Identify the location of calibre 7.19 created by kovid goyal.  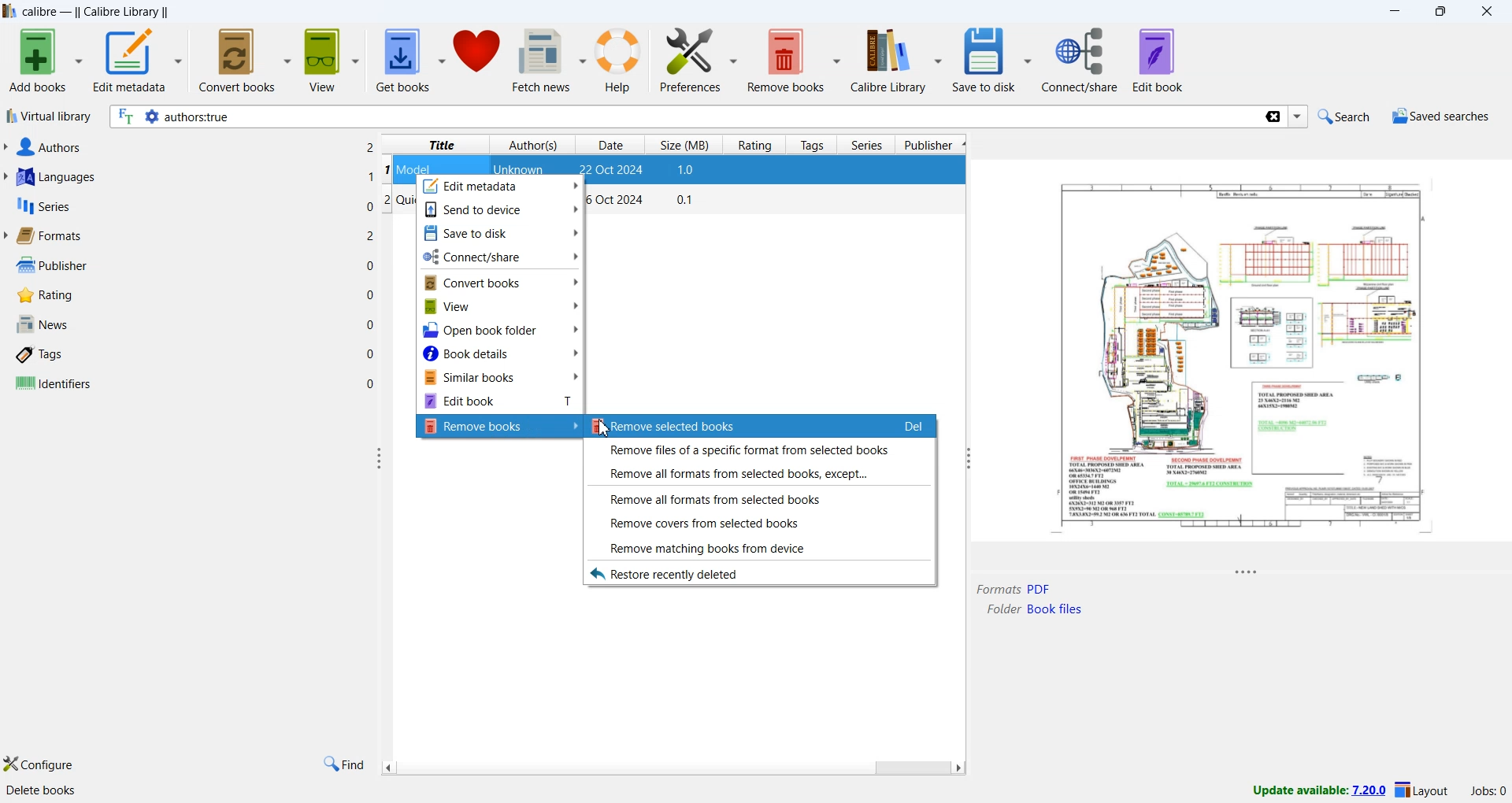
(98, 792).